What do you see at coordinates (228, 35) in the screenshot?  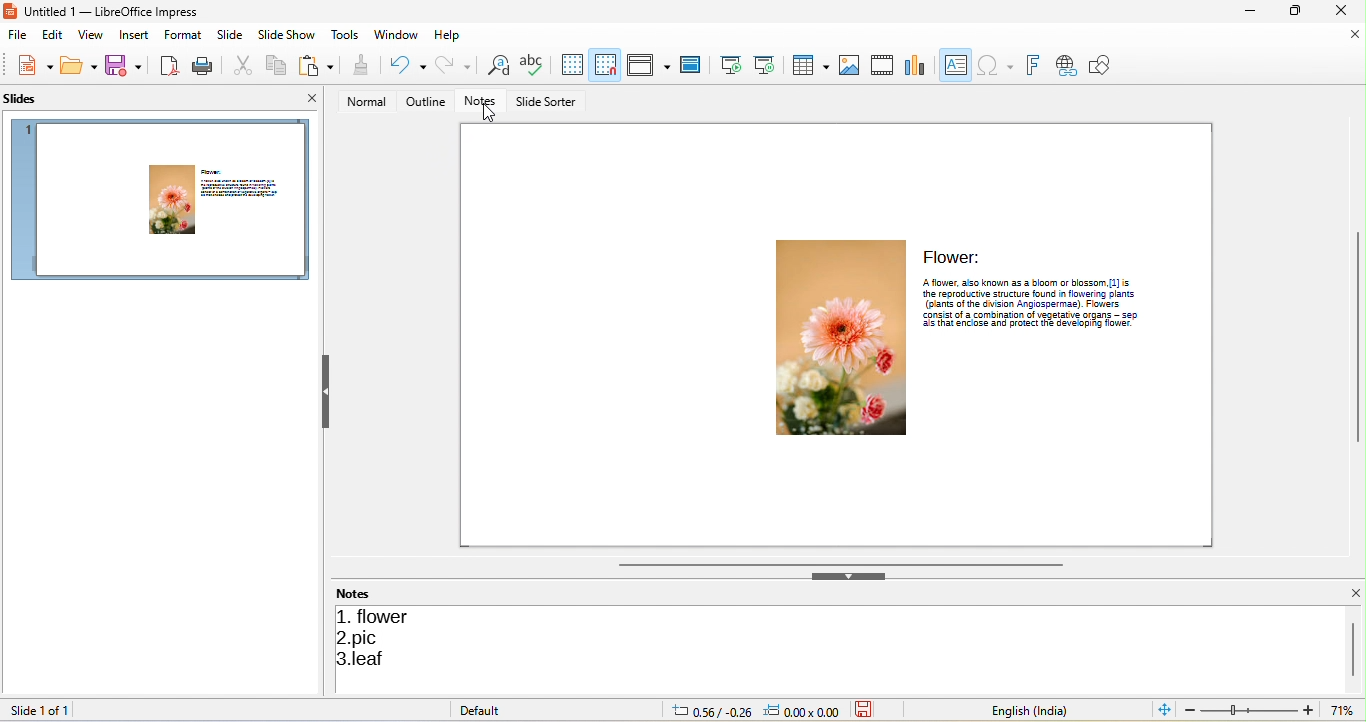 I see `slide` at bounding box center [228, 35].